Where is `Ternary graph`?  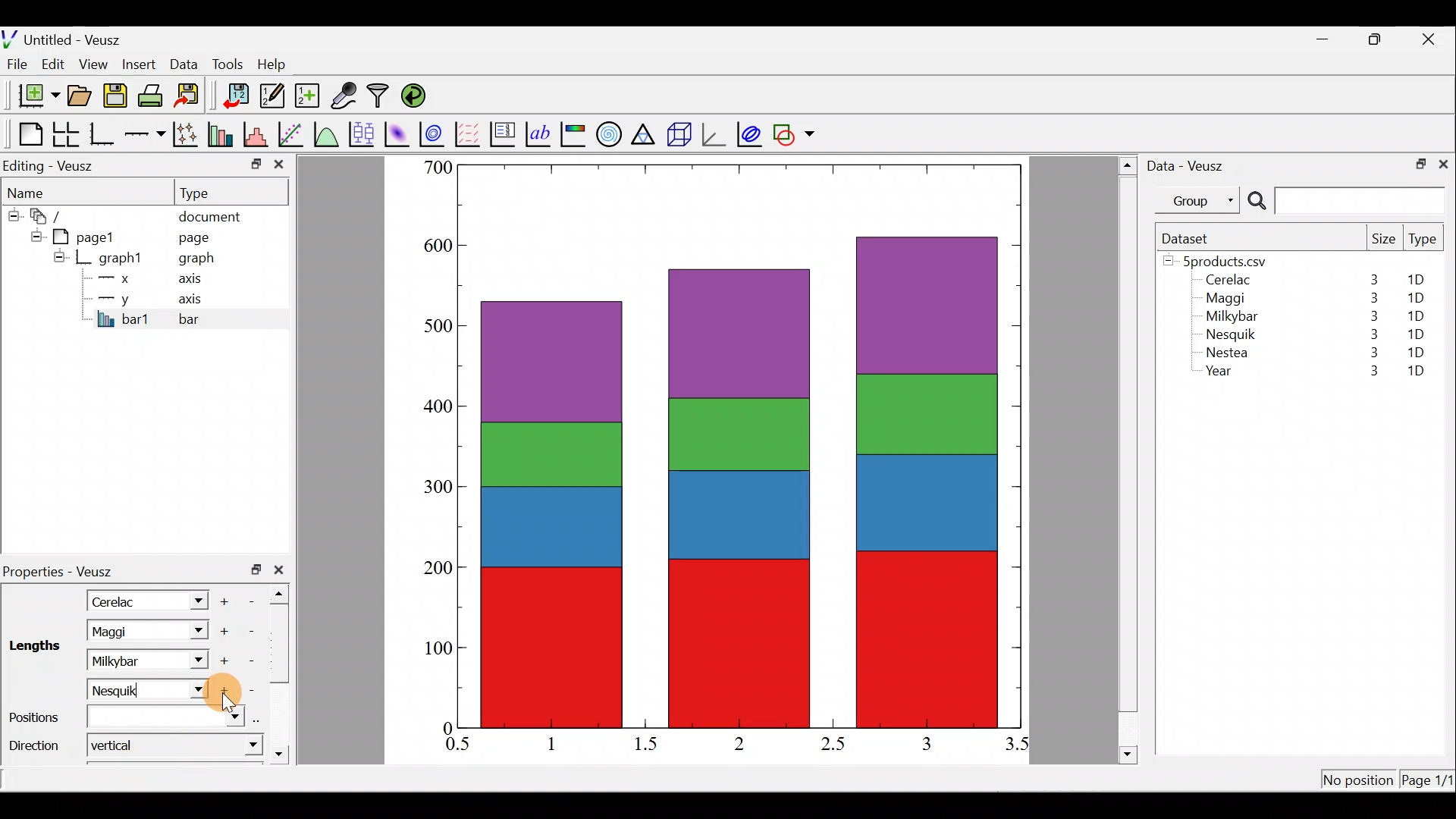
Ternary graph is located at coordinates (645, 132).